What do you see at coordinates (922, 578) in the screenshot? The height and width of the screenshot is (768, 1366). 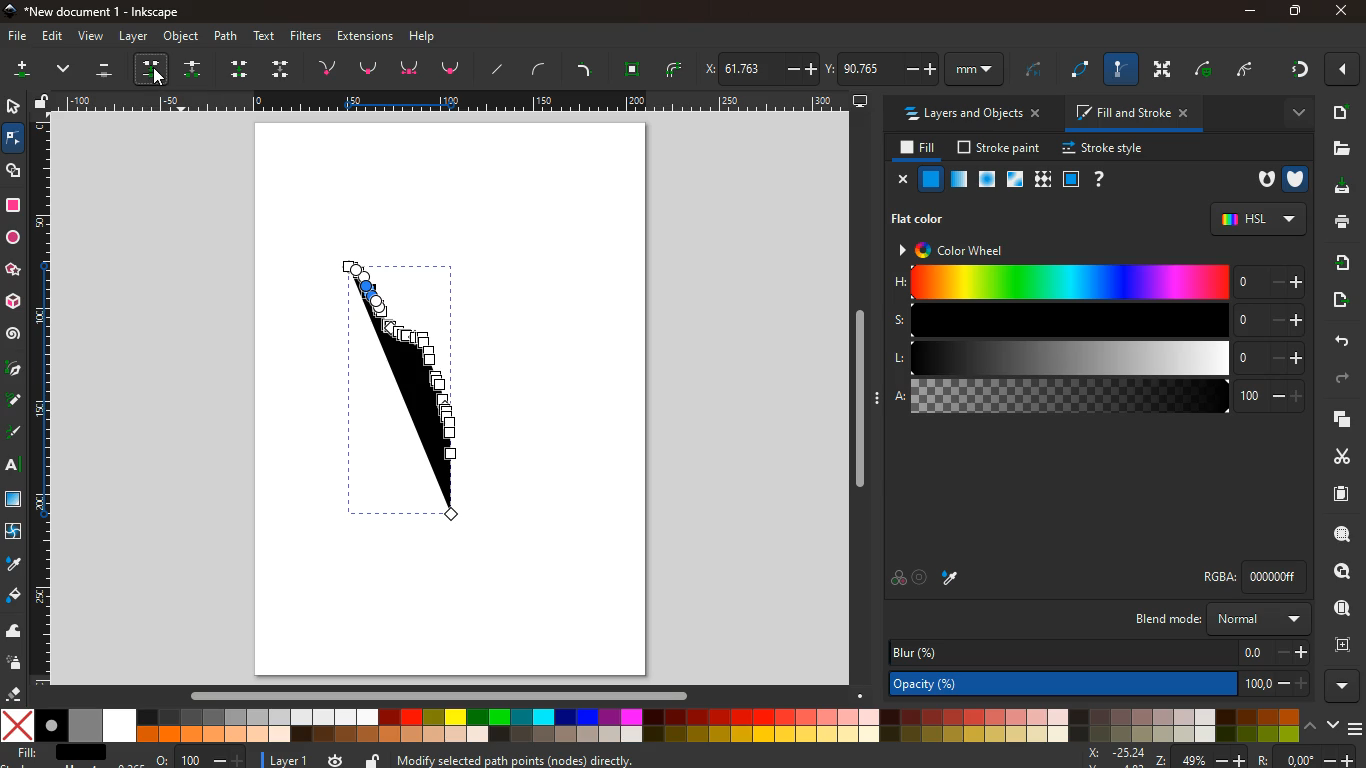 I see `target` at bounding box center [922, 578].